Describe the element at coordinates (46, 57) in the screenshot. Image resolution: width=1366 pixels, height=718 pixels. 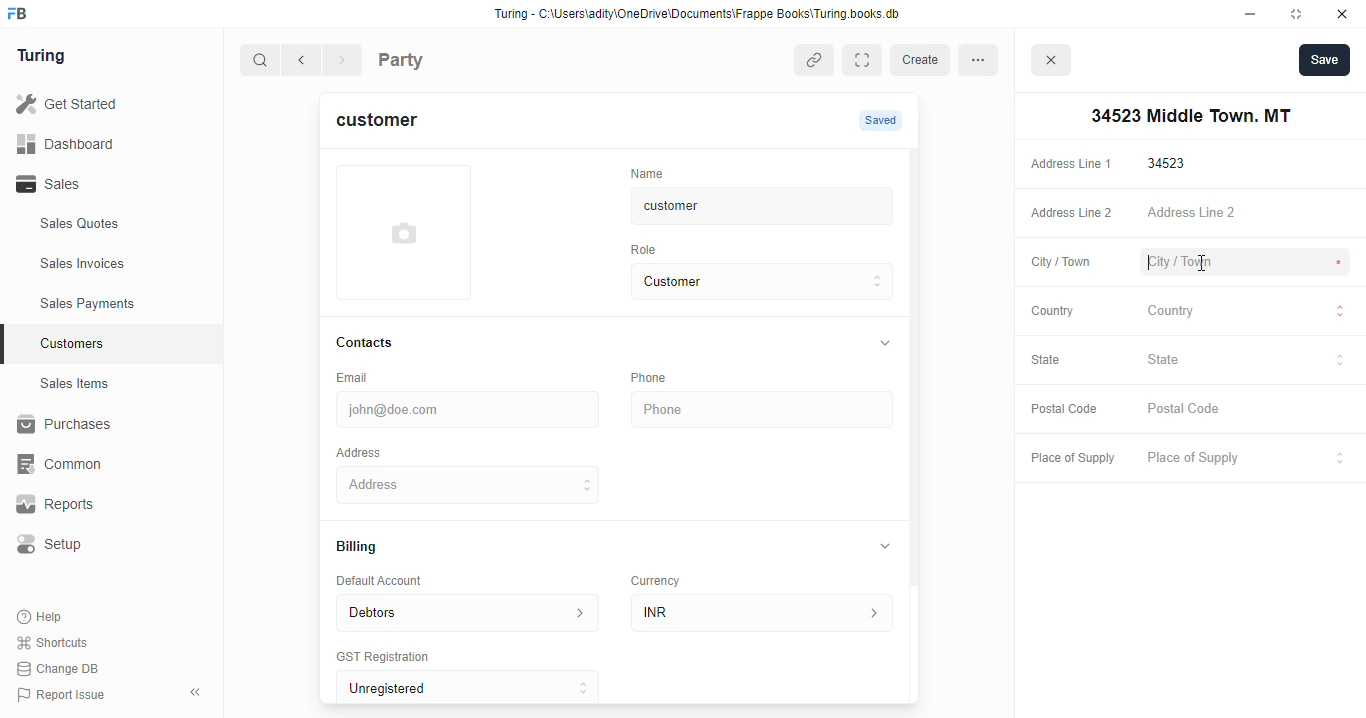
I see `Turing` at that location.